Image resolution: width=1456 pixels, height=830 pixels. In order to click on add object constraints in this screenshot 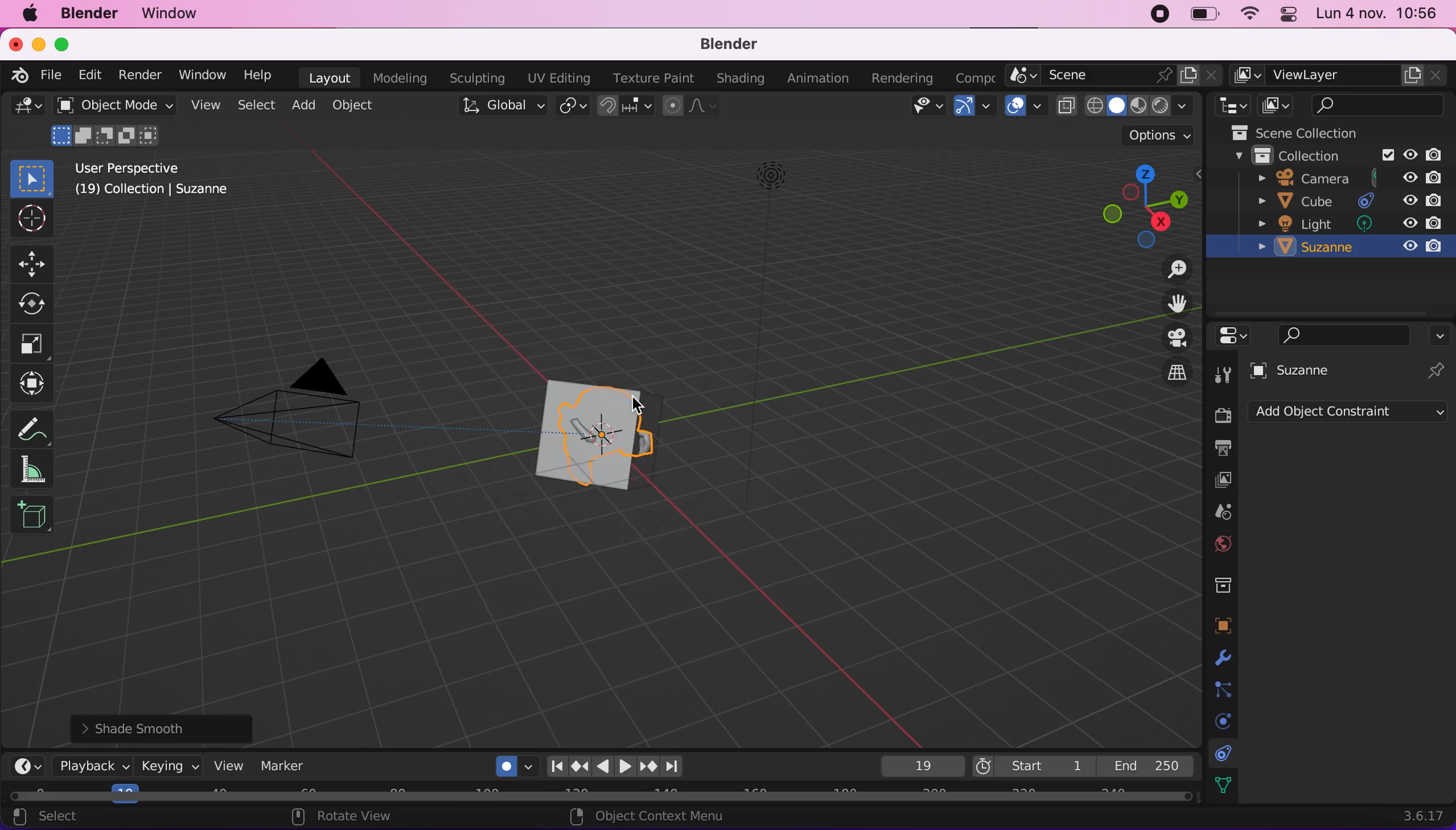, I will do `click(1348, 414)`.